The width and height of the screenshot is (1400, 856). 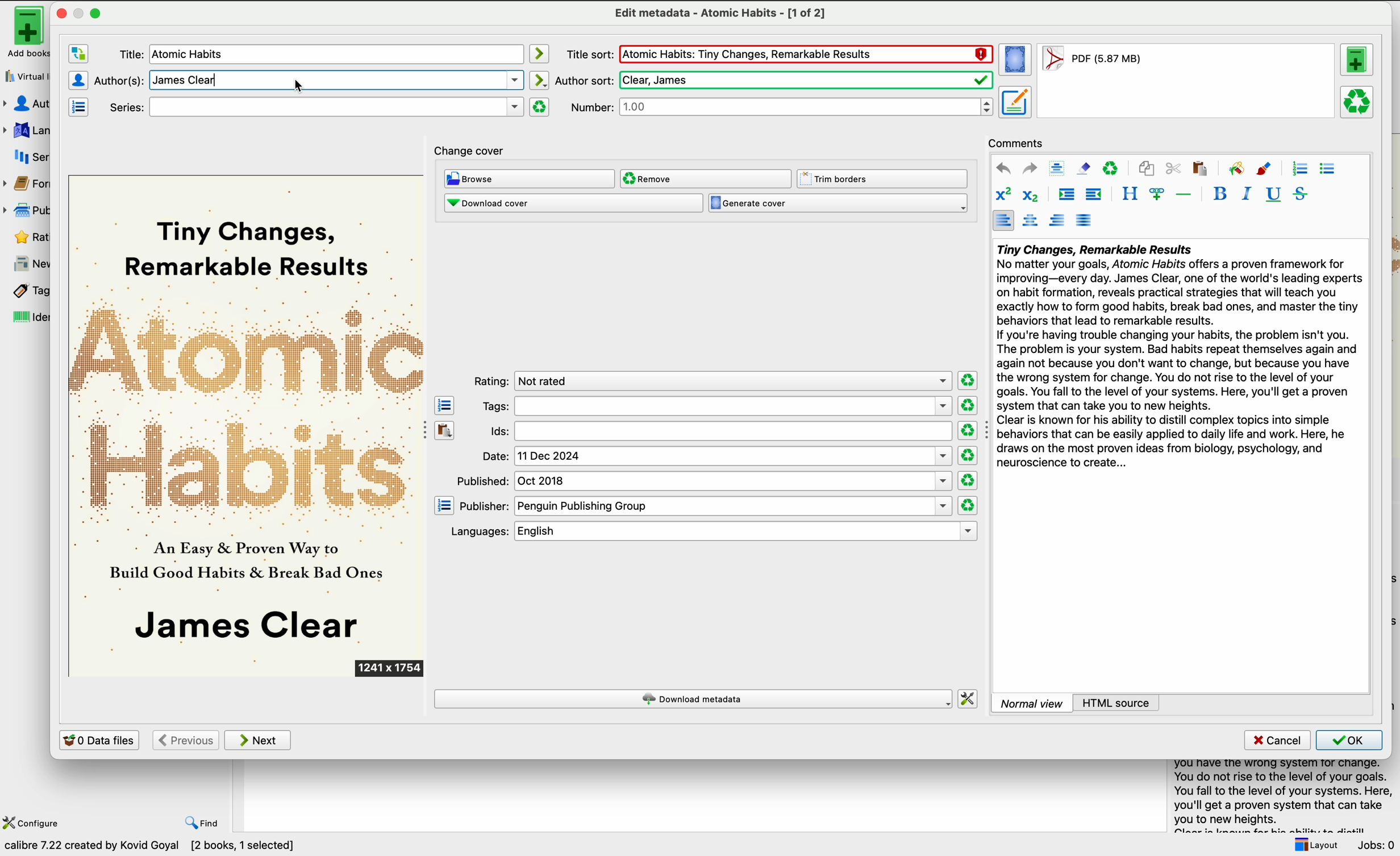 What do you see at coordinates (1315, 845) in the screenshot?
I see `layout` at bounding box center [1315, 845].